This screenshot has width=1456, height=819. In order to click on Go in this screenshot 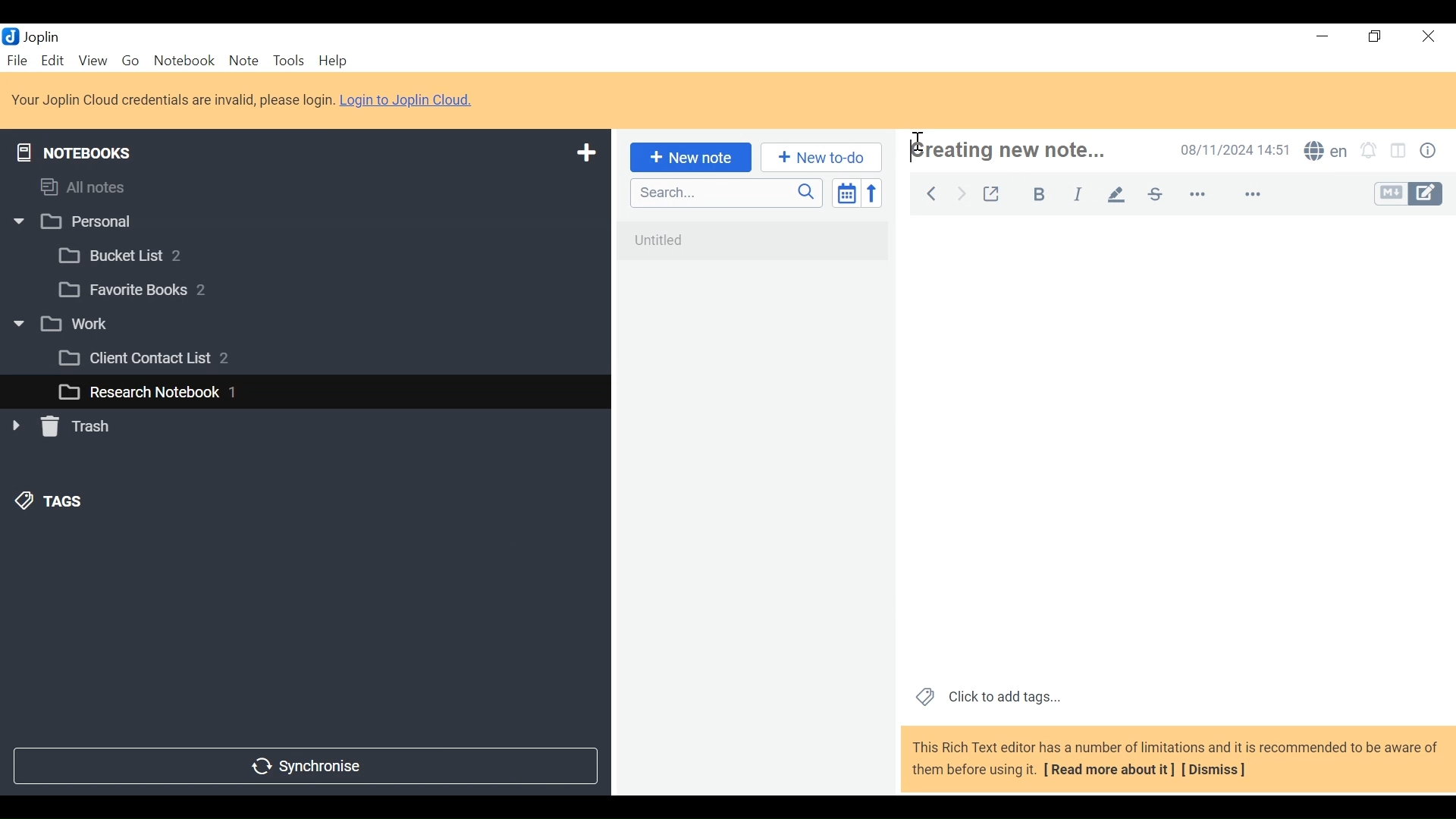, I will do `click(130, 59)`.